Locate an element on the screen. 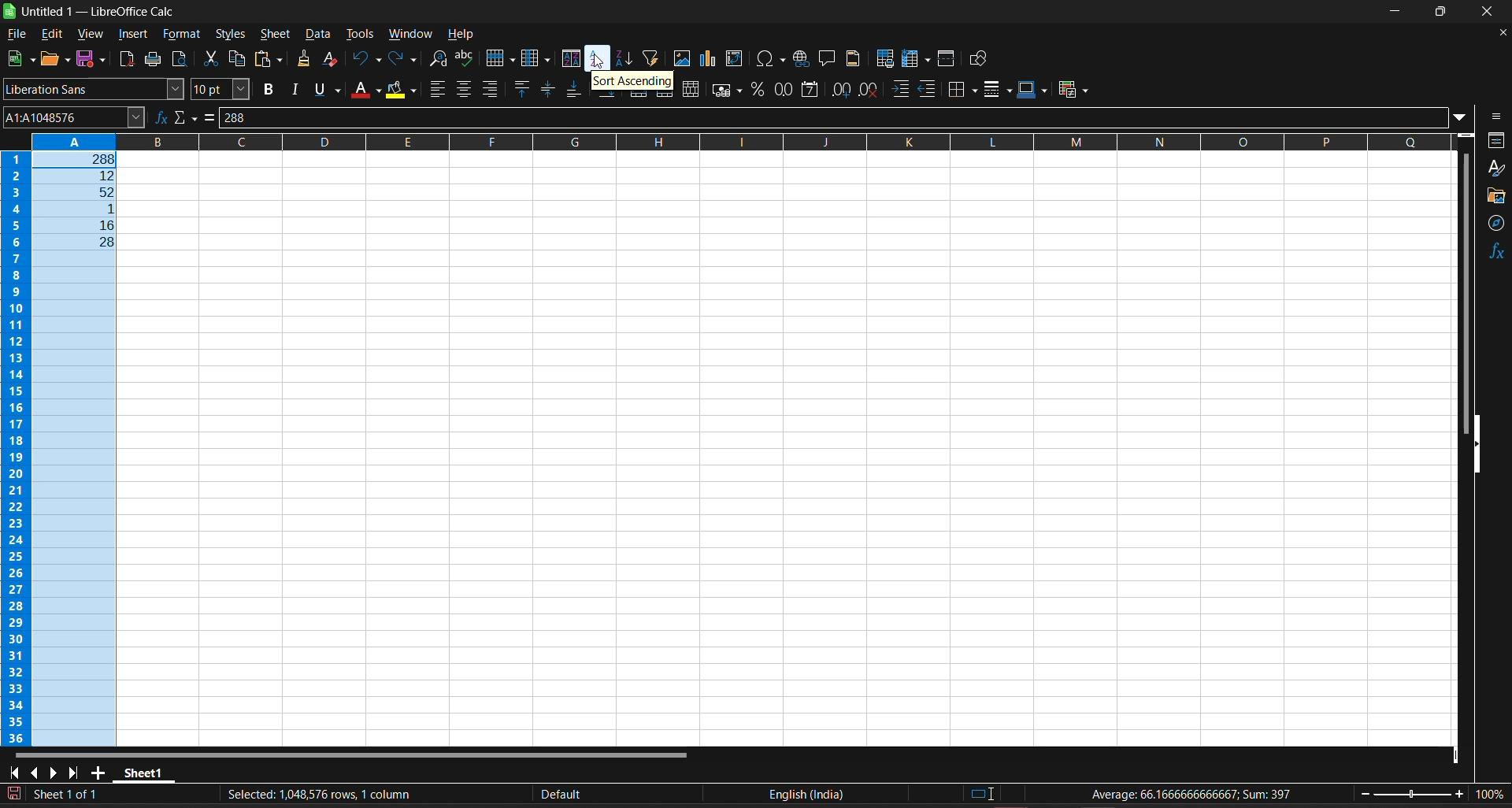  find and replace is located at coordinates (436, 58).